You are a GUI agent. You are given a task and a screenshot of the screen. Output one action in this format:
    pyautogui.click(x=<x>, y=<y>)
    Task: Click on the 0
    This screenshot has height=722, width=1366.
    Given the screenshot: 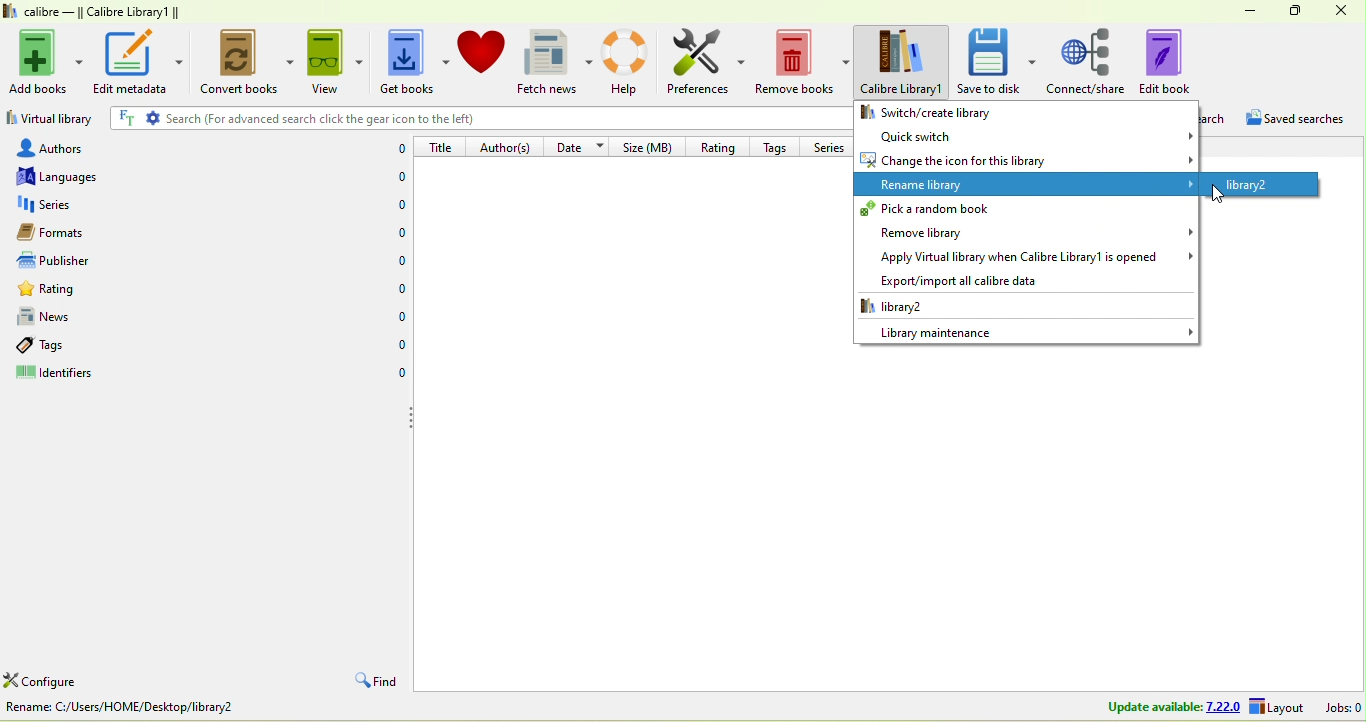 What is the action you would take?
    pyautogui.click(x=395, y=317)
    